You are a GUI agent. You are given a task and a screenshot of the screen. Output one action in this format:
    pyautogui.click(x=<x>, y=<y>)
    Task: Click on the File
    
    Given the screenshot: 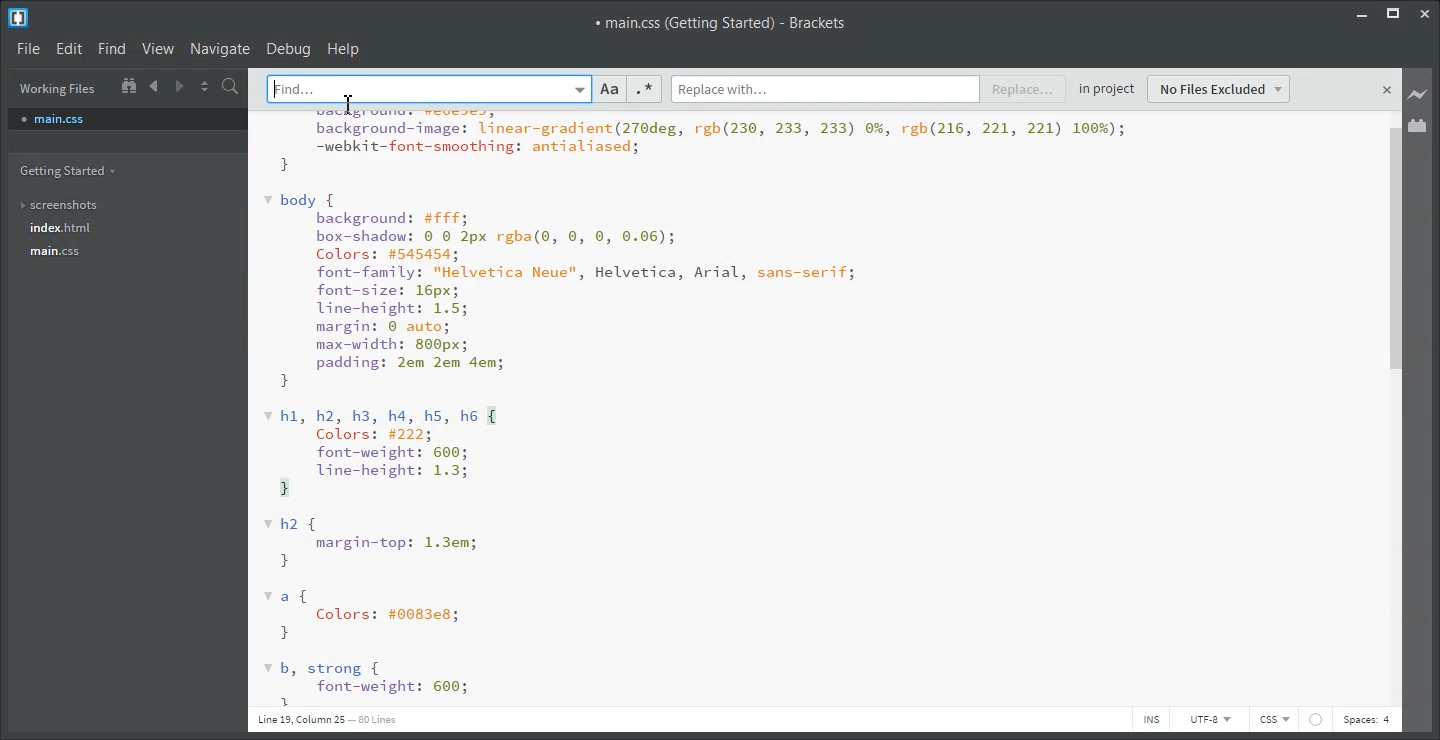 What is the action you would take?
    pyautogui.click(x=27, y=47)
    